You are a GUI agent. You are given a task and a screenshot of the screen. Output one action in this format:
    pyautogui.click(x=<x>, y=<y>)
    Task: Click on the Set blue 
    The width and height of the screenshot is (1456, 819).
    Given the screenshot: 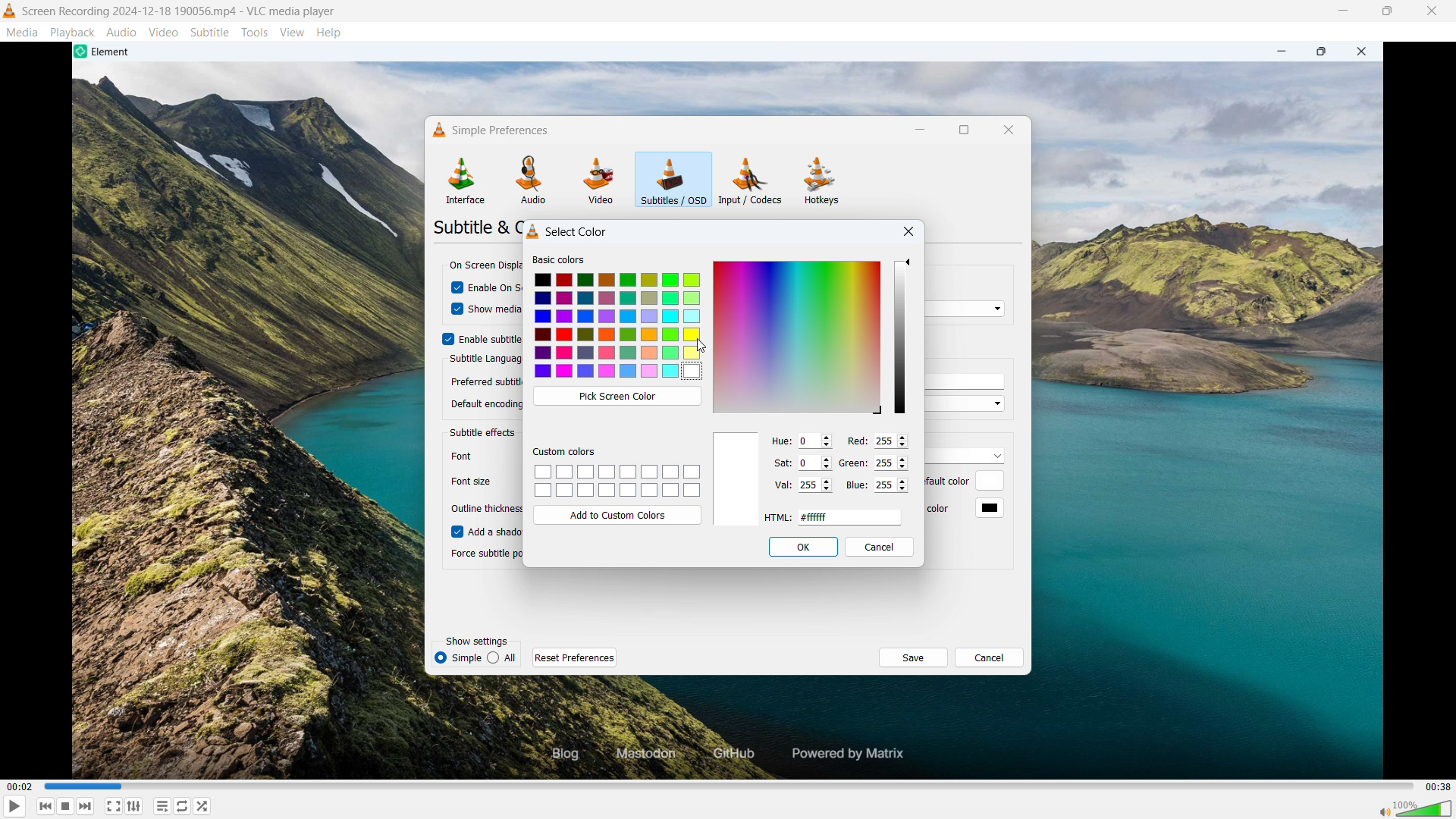 What is the action you would take?
    pyautogui.click(x=891, y=485)
    